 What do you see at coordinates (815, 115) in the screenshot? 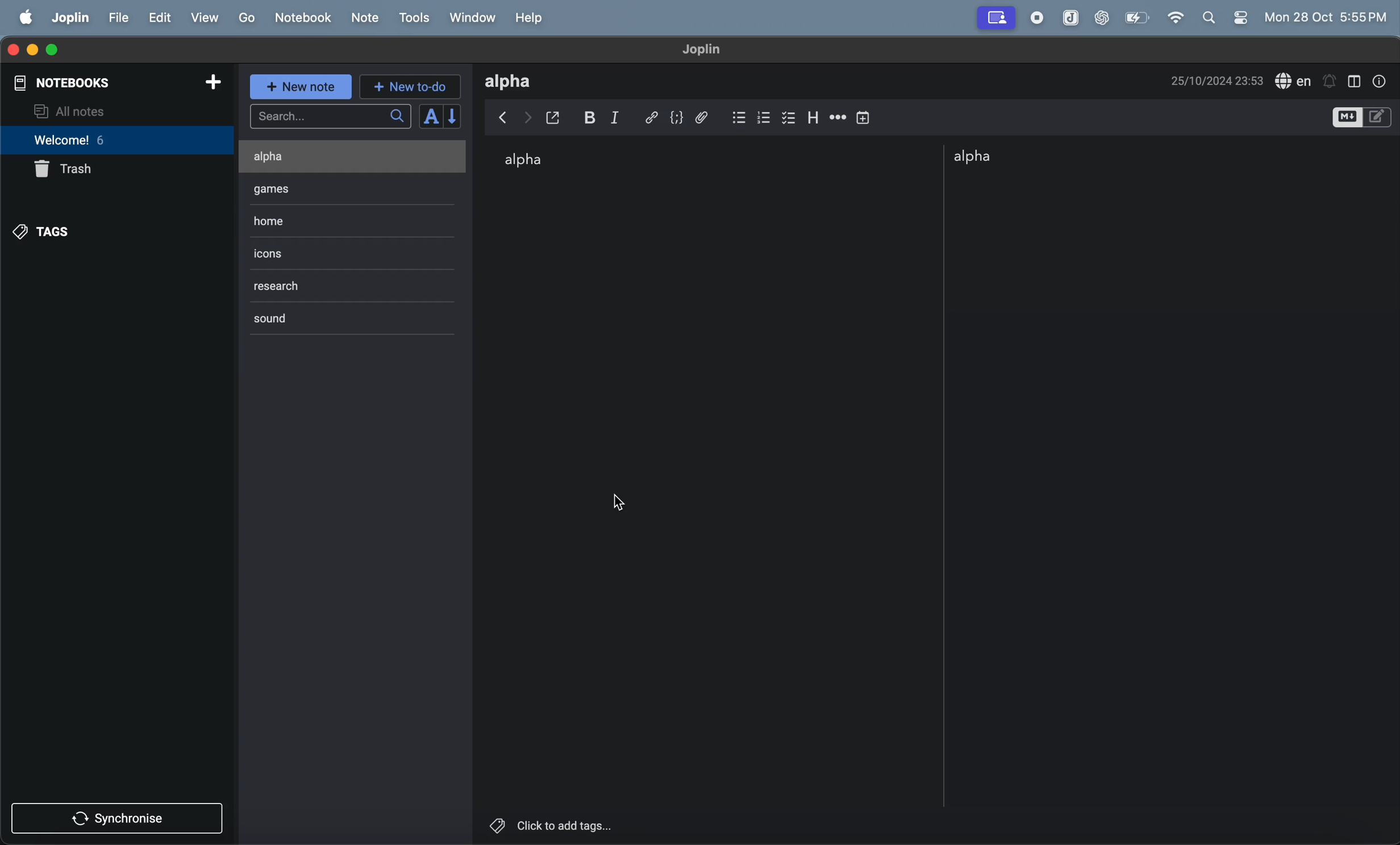
I see `header` at bounding box center [815, 115].